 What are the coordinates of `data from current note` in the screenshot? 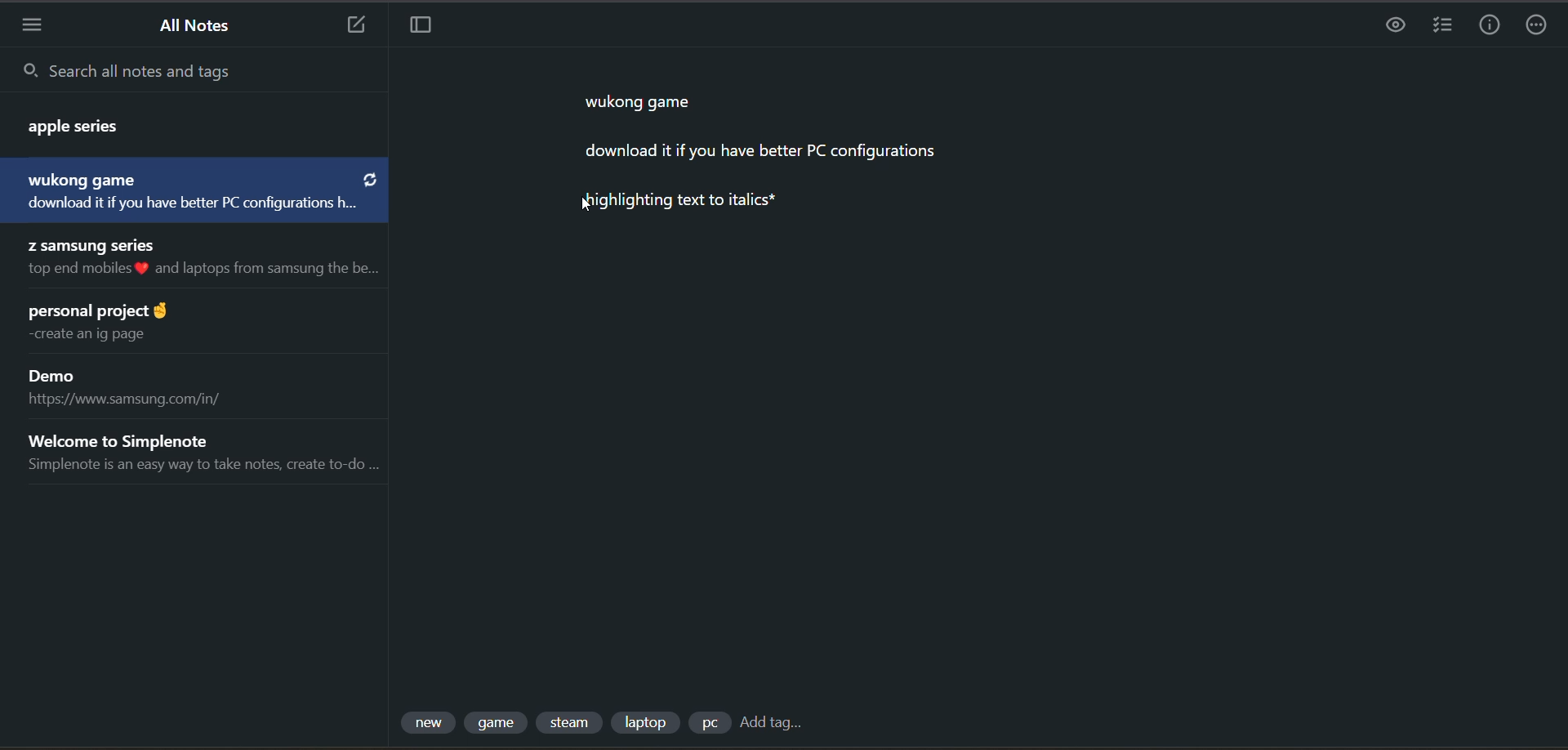 It's located at (758, 163).